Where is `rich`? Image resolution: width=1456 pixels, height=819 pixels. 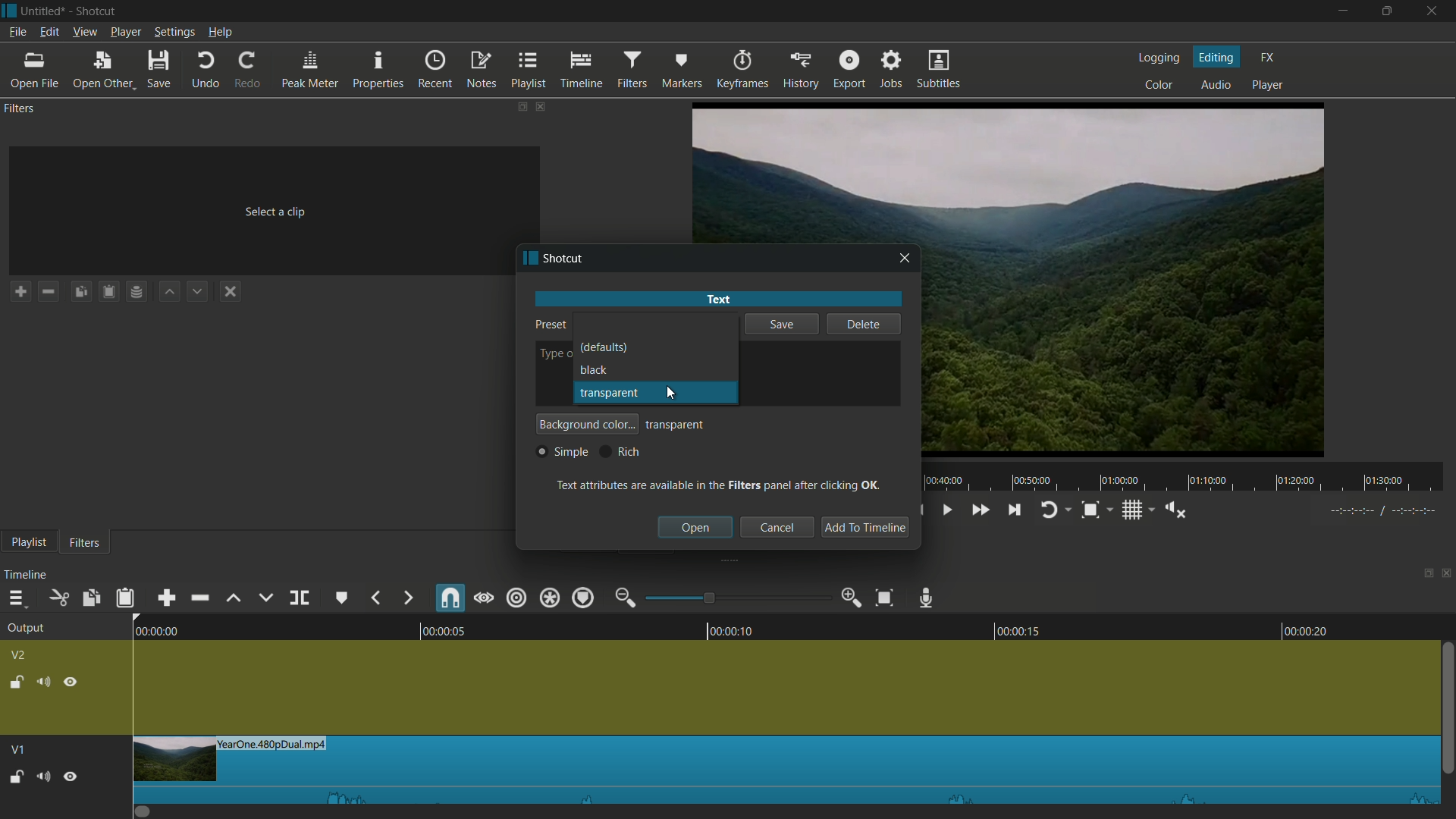
rich is located at coordinates (619, 451).